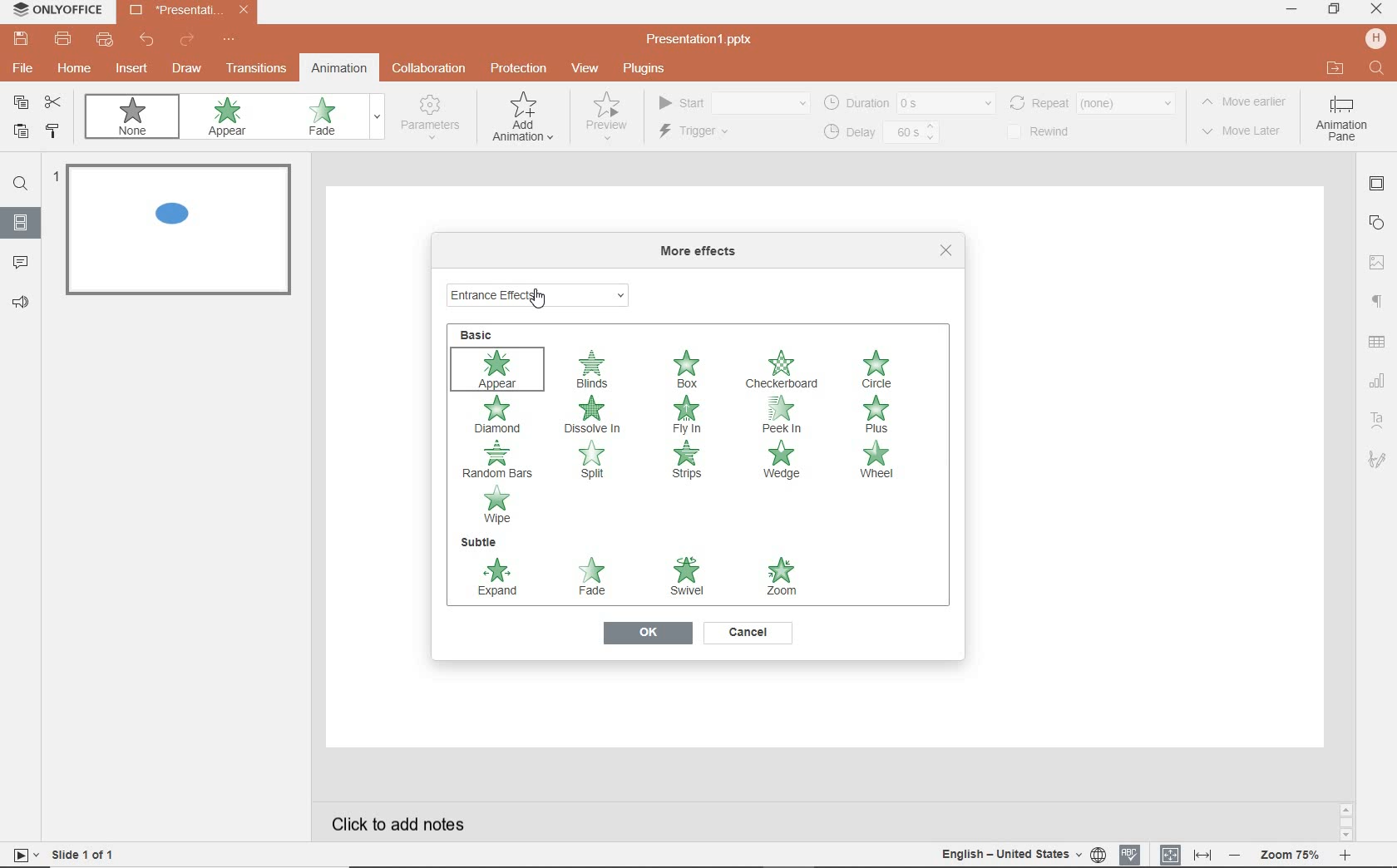 The image size is (1397, 868). I want to click on MINIMIZE, so click(1291, 9).